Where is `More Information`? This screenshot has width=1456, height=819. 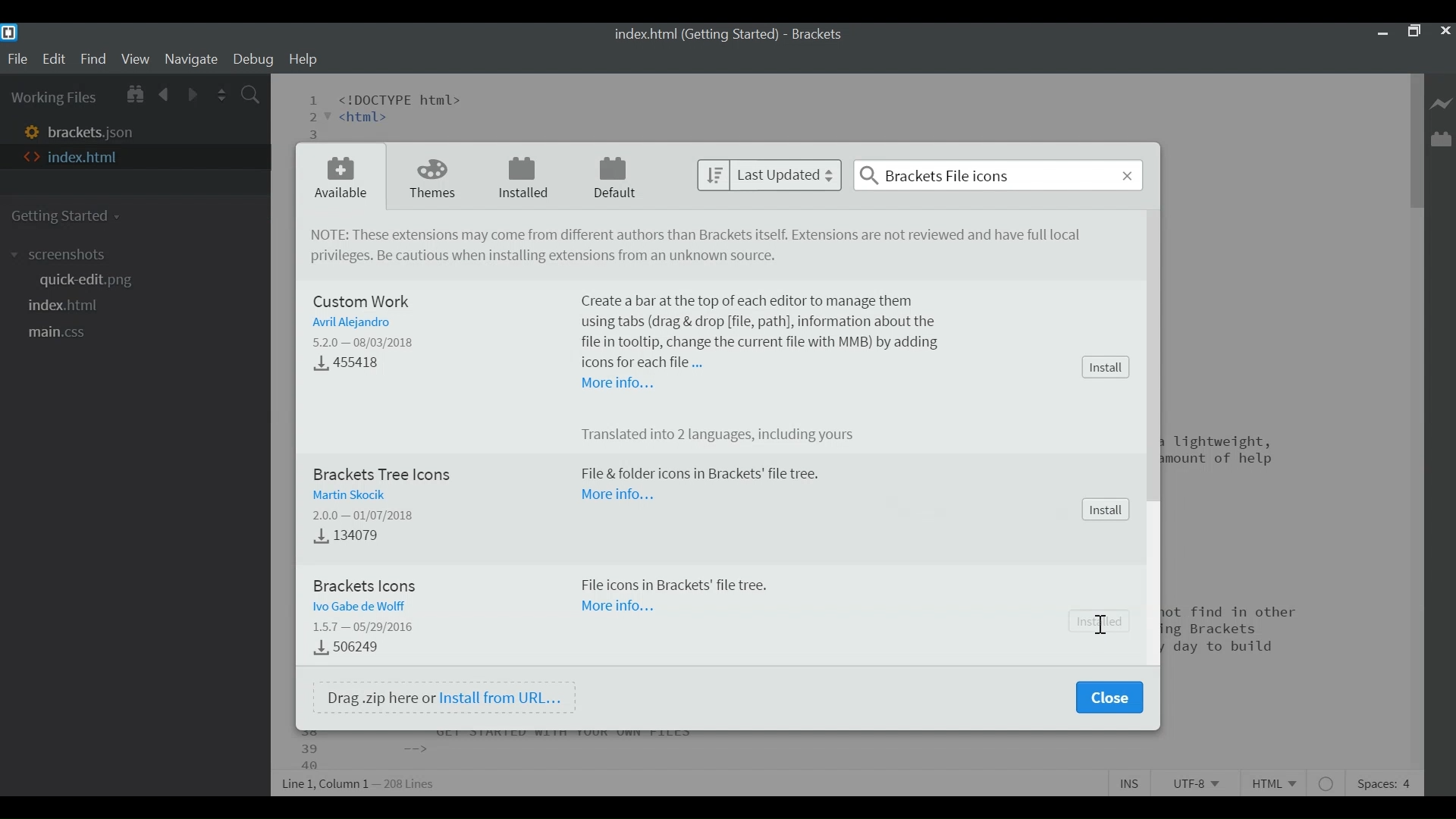 More Information is located at coordinates (621, 610).